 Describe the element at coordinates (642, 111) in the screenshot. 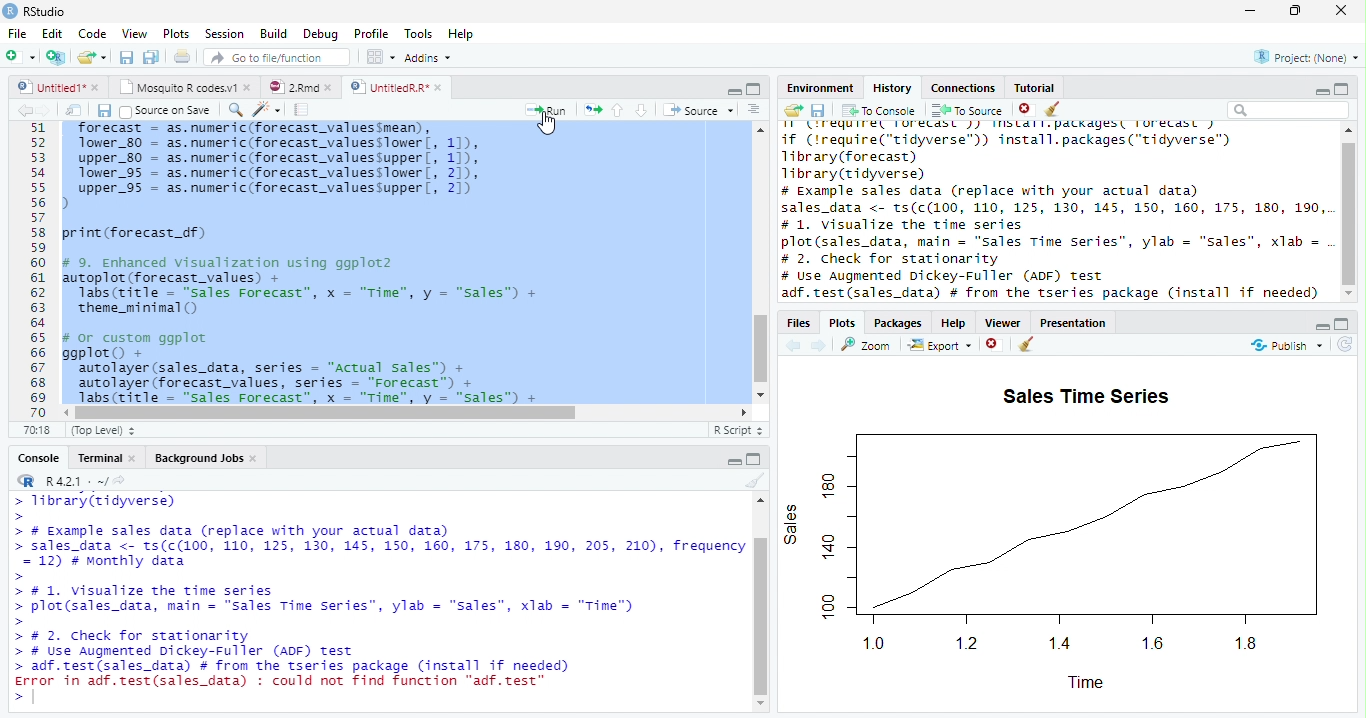

I see `Down` at that location.